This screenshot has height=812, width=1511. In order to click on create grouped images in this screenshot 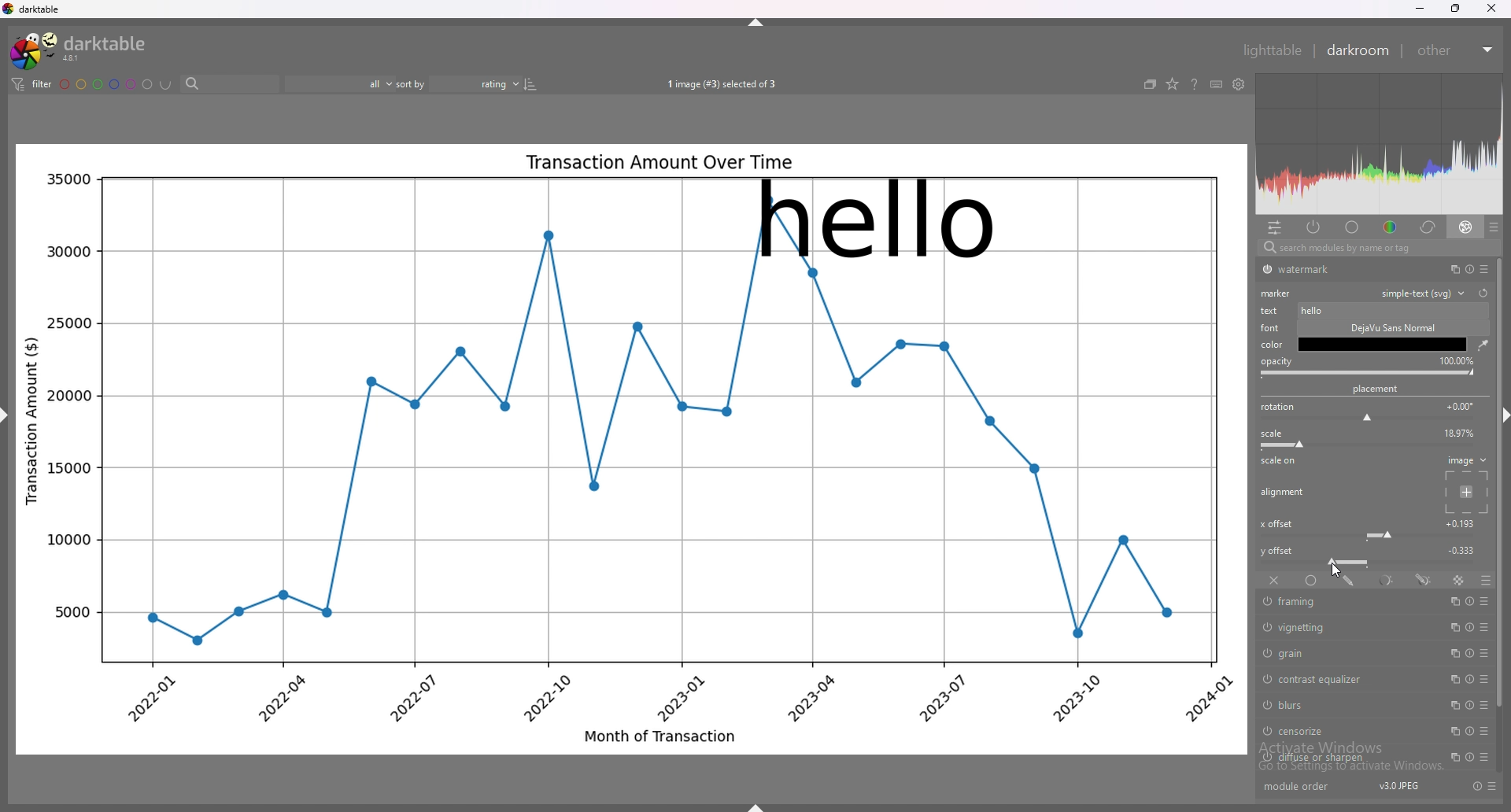, I will do `click(1151, 84)`.